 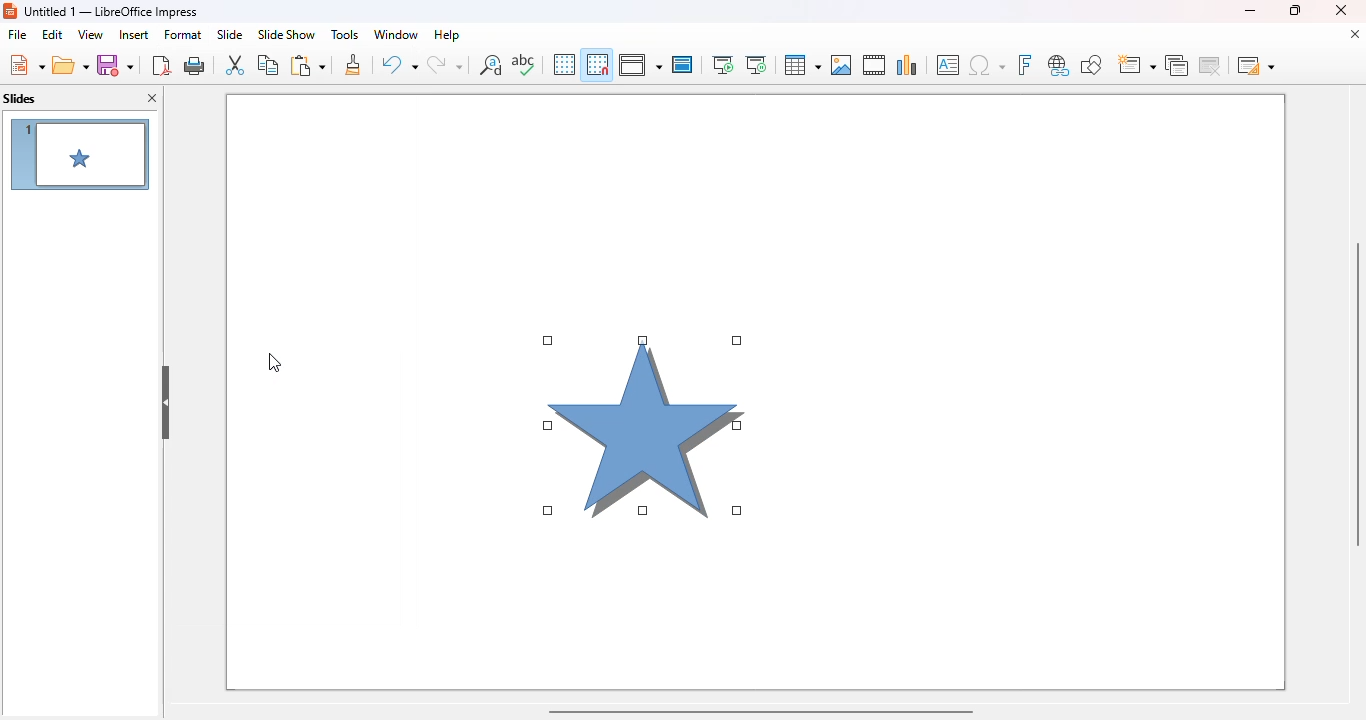 I want to click on slide preview changed due to shadow effect, so click(x=80, y=154).